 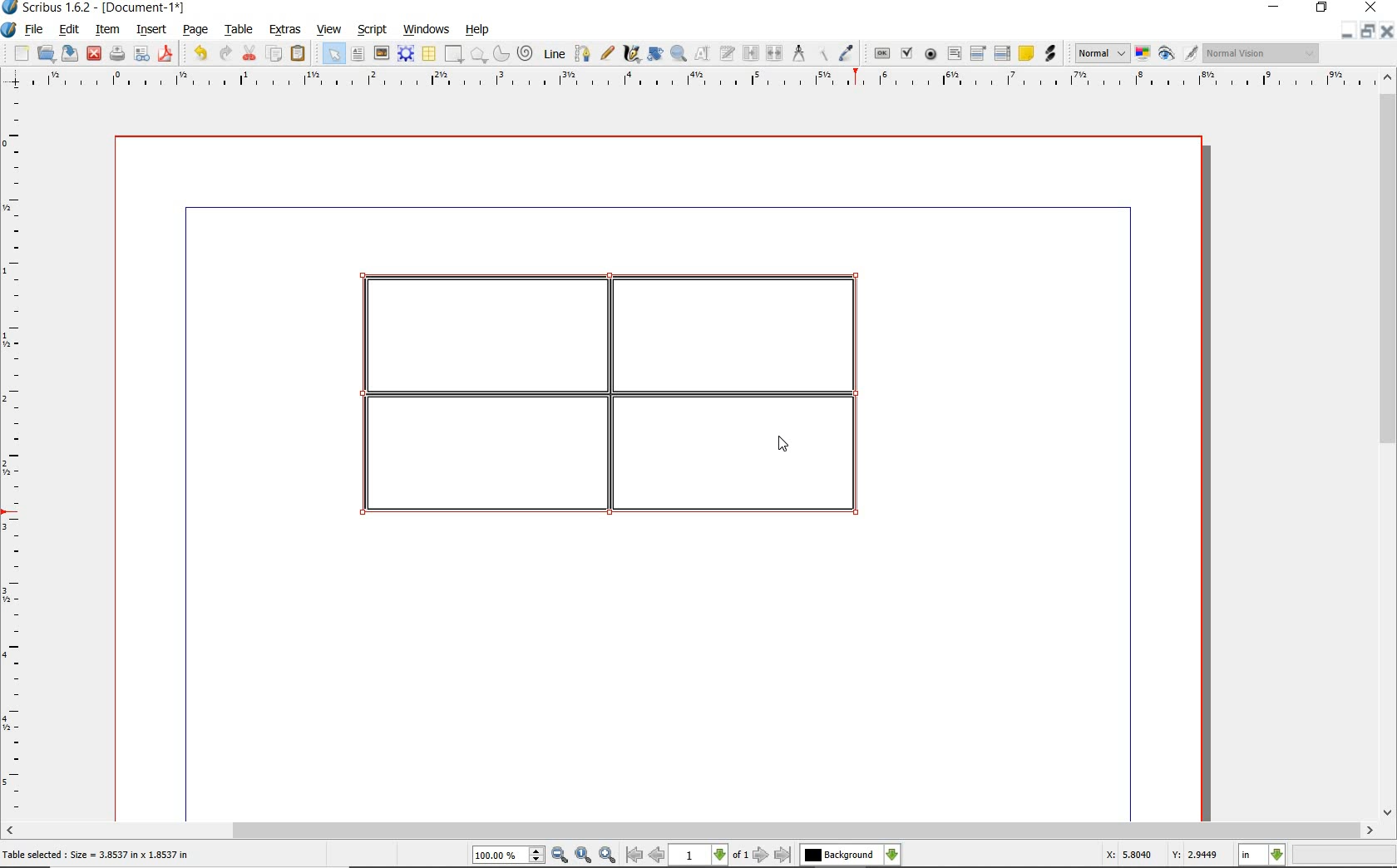 What do you see at coordinates (358, 56) in the screenshot?
I see `text frame` at bounding box center [358, 56].